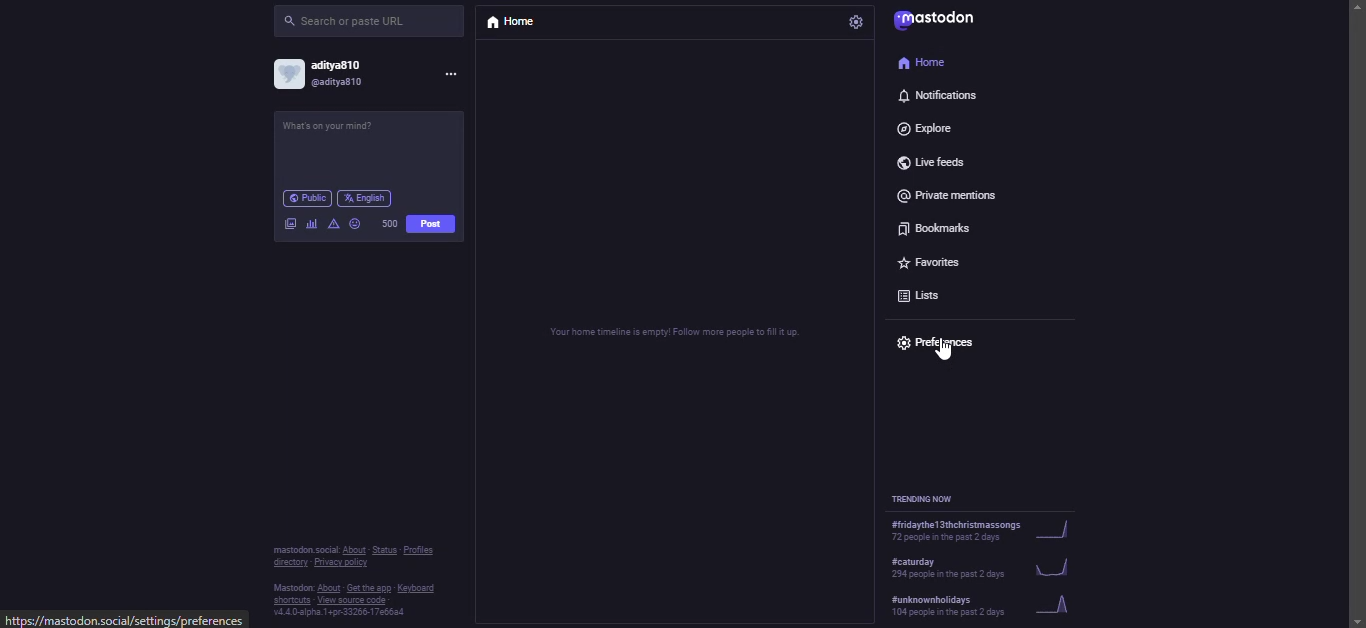  What do you see at coordinates (938, 96) in the screenshot?
I see `notifications` at bounding box center [938, 96].